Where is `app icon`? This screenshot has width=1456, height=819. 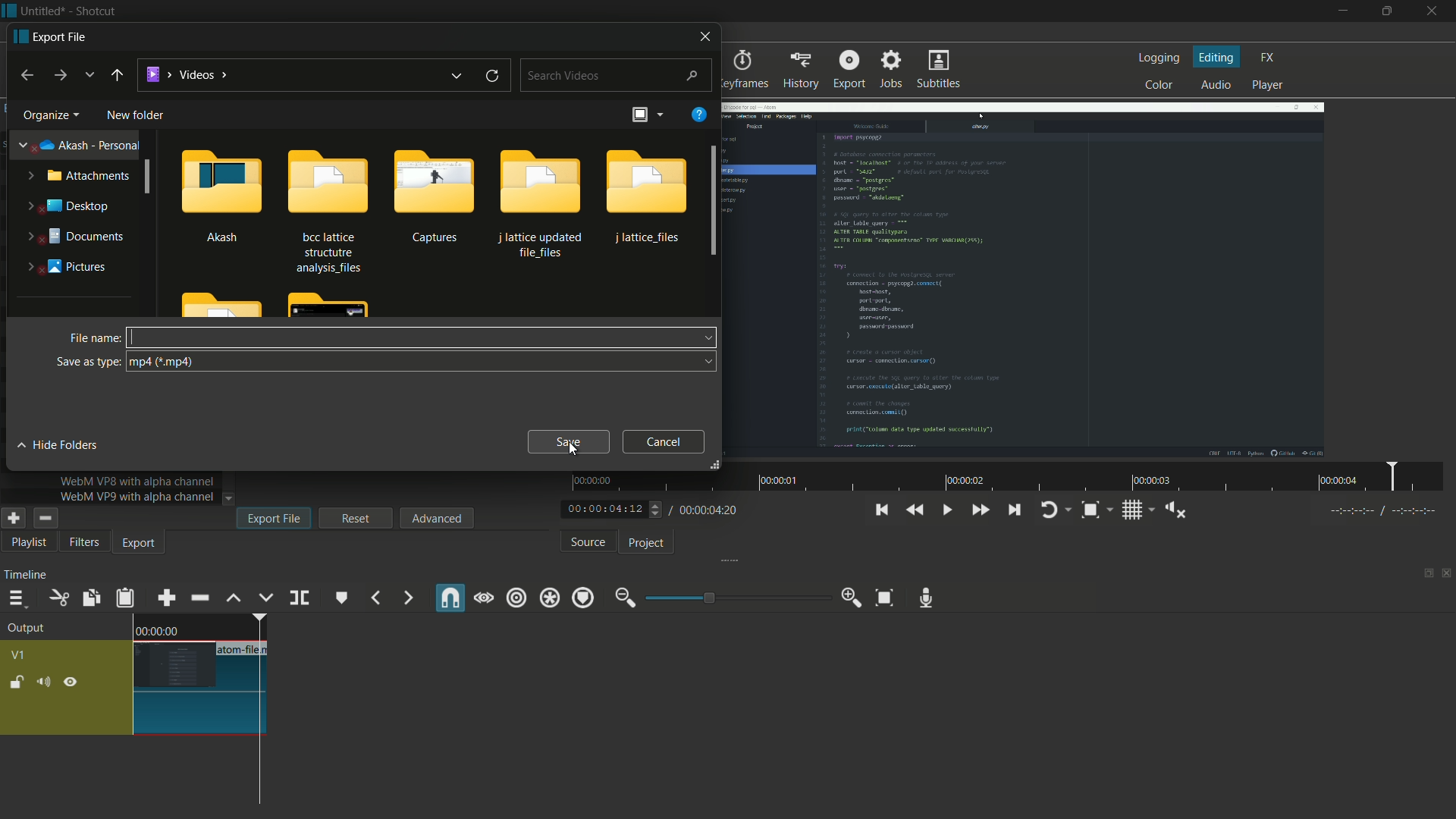
app icon is located at coordinates (9, 10).